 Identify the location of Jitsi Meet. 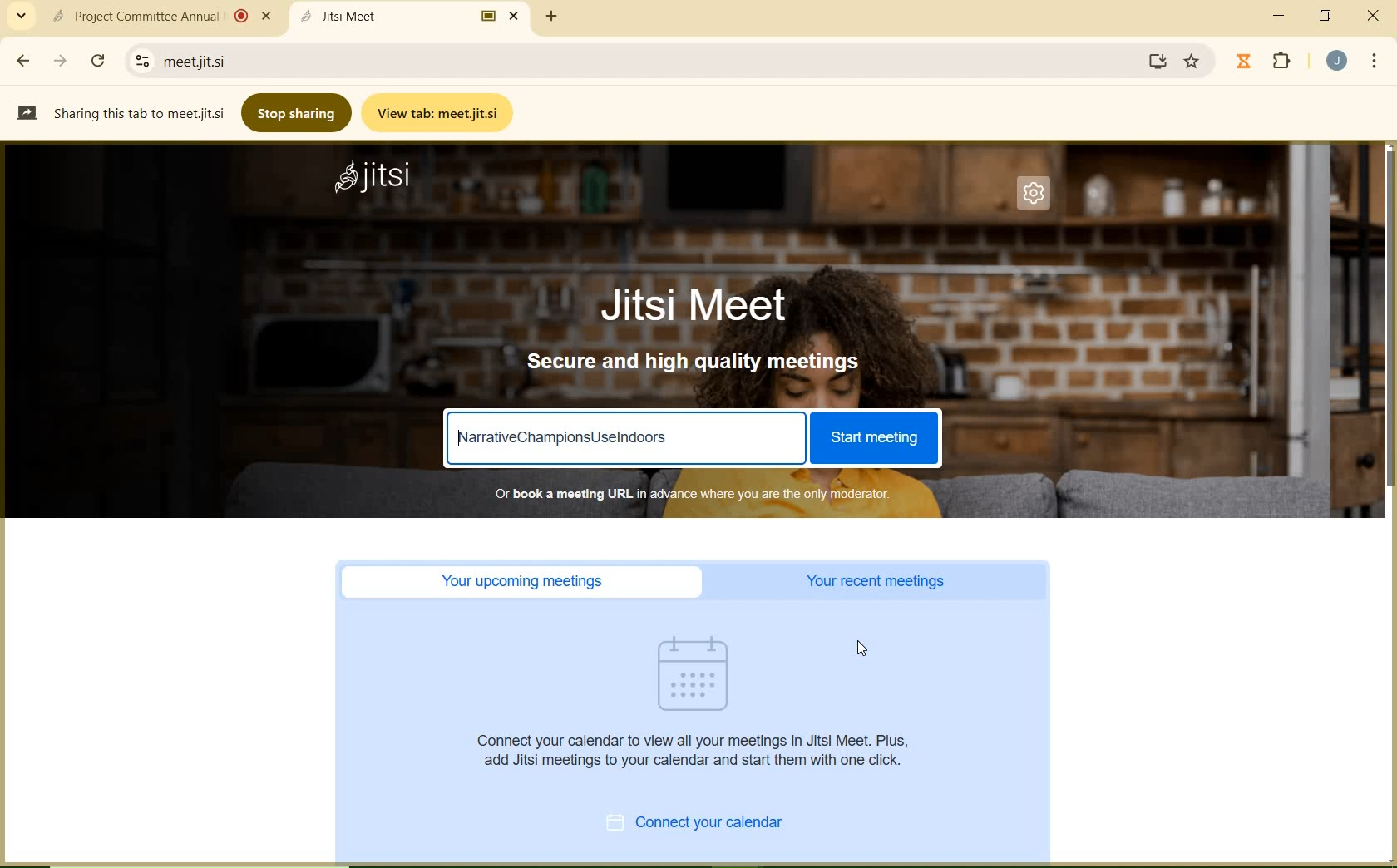
(690, 306).